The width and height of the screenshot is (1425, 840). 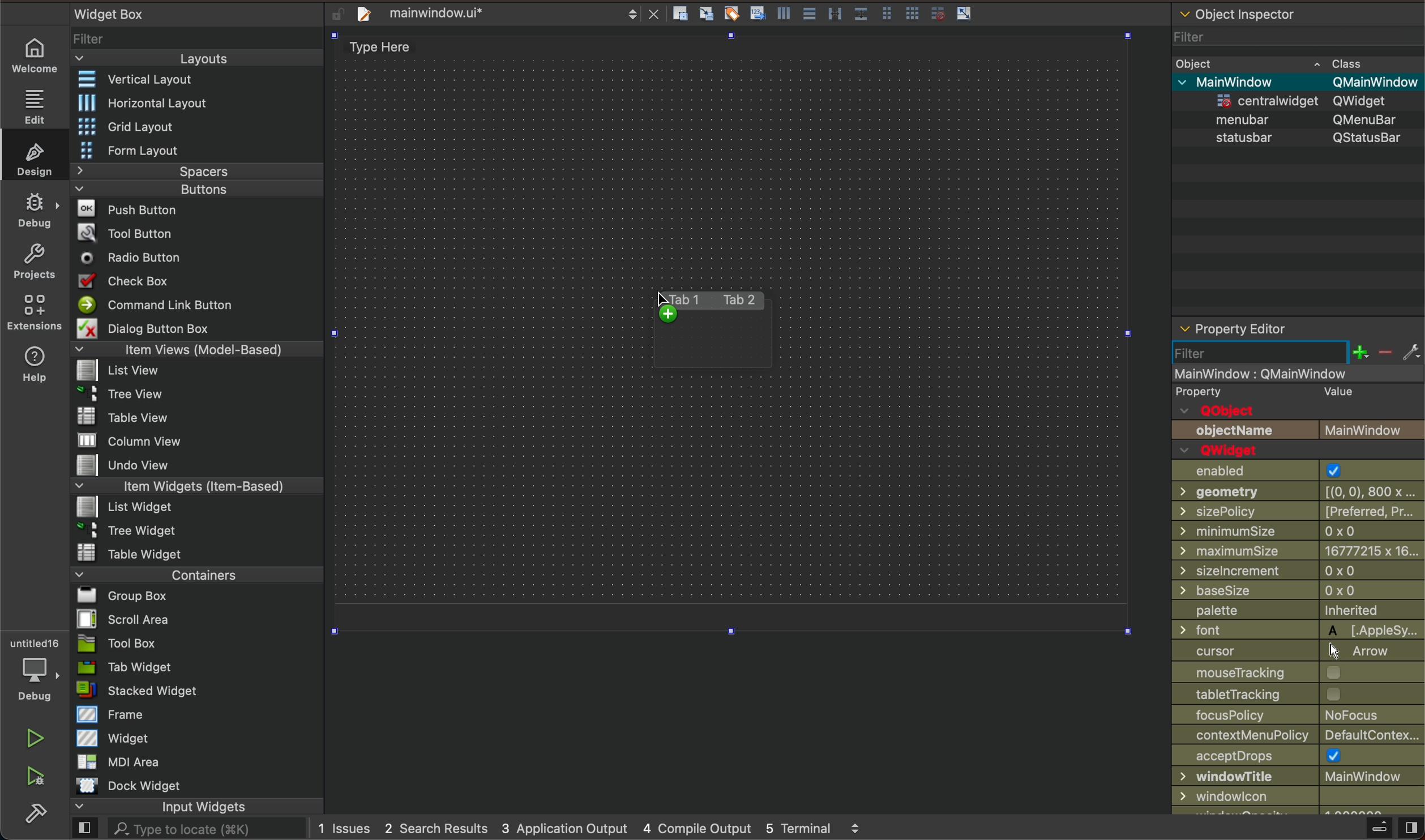 I want to click on welcome, so click(x=32, y=56).